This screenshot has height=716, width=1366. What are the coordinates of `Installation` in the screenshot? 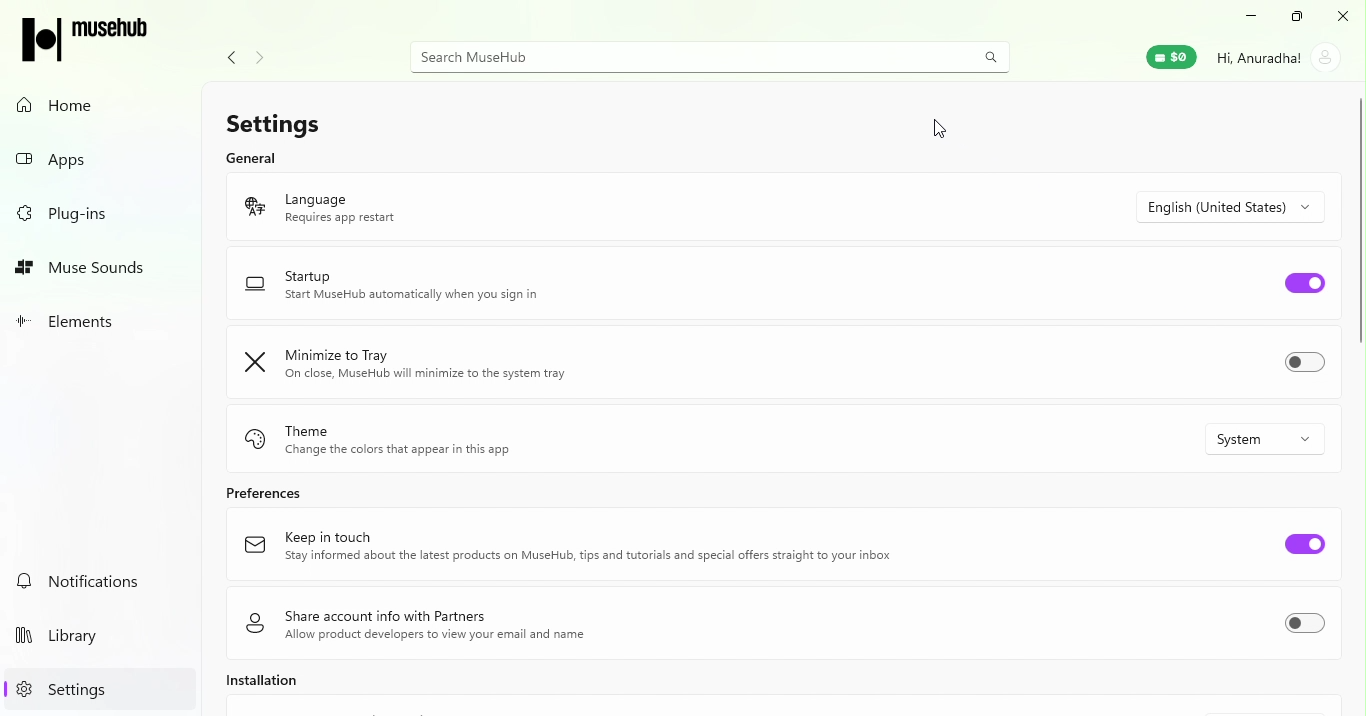 It's located at (281, 686).